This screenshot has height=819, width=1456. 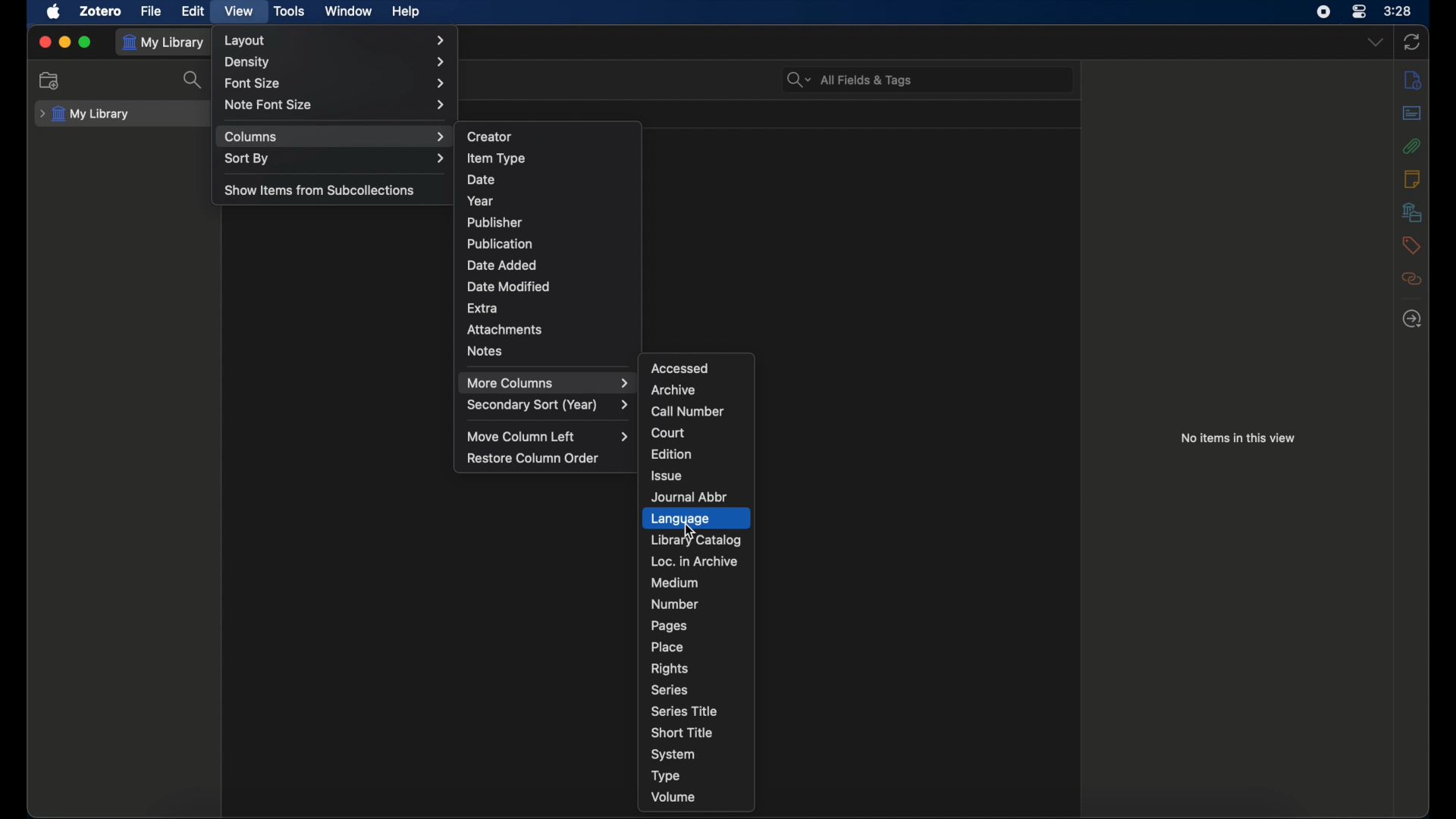 I want to click on dropdown, so click(x=1376, y=42).